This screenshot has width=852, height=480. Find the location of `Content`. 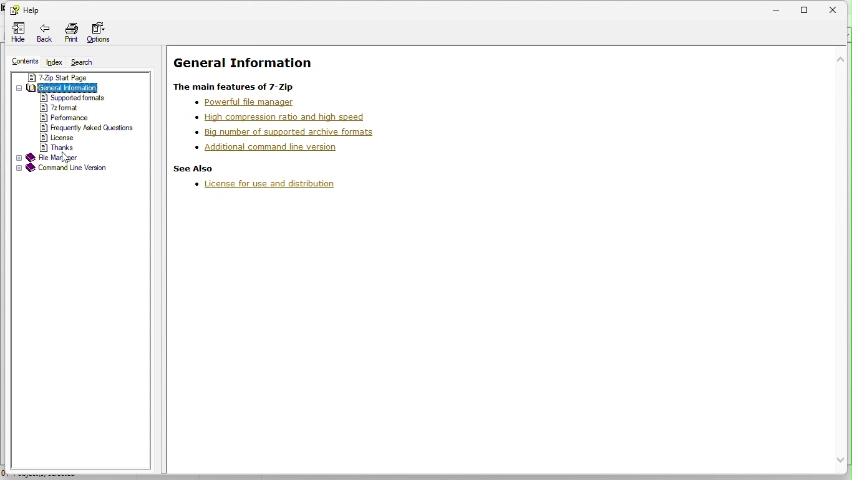

Content is located at coordinates (20, 60).